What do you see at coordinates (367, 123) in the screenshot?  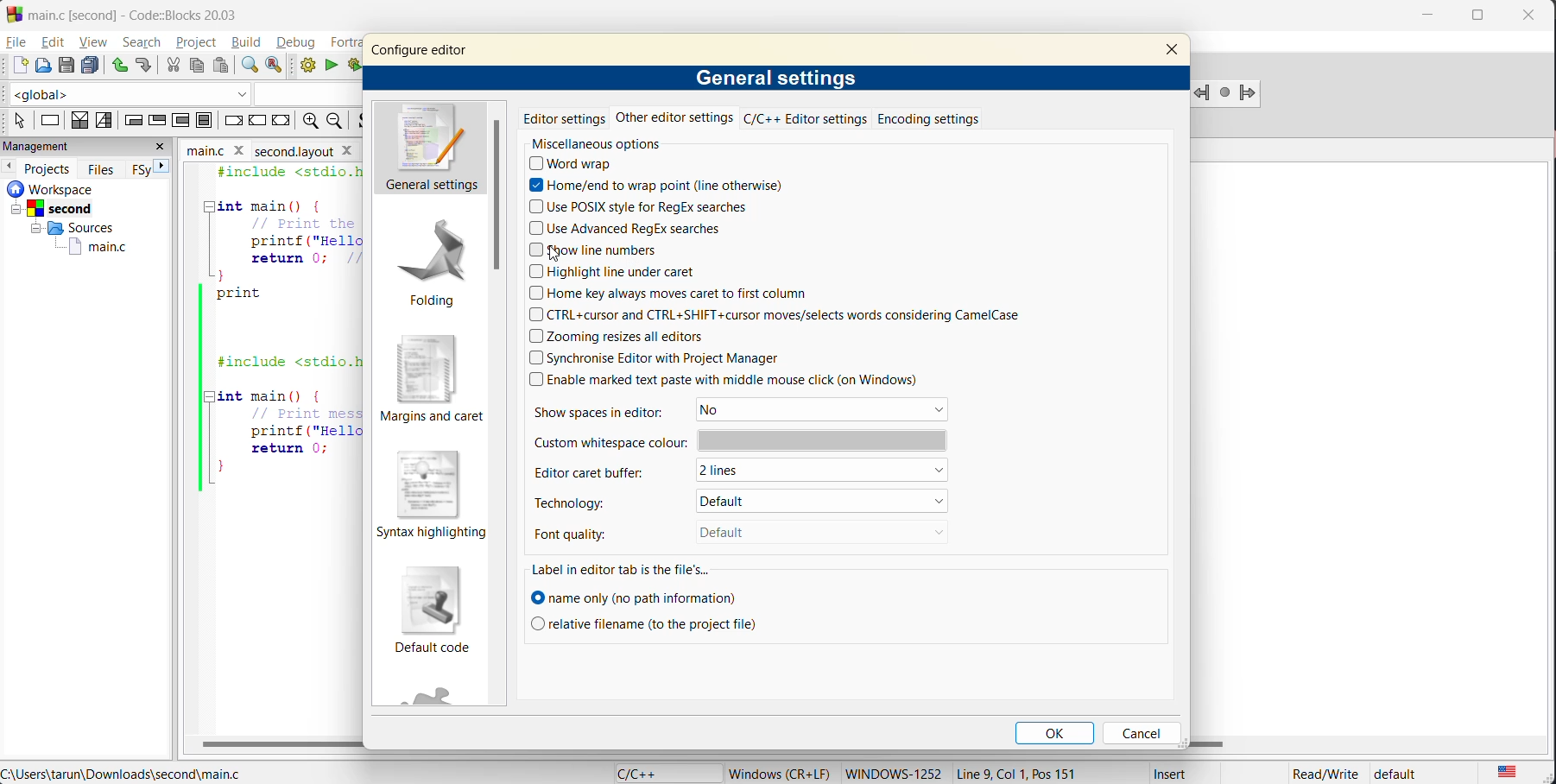 I see `toggle source` at bounding box center [367, 123].